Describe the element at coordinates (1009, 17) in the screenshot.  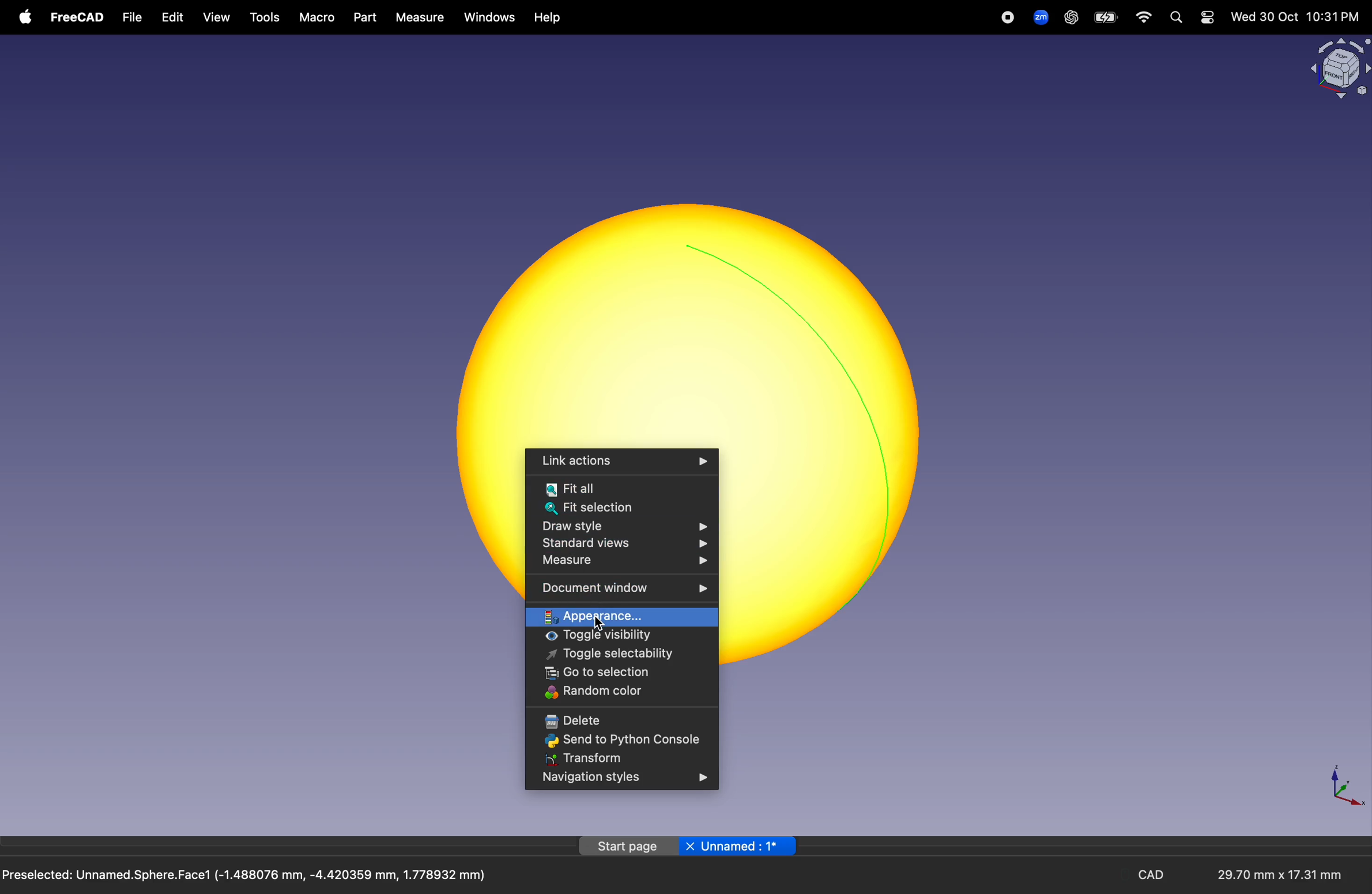
I see `record` at that location.